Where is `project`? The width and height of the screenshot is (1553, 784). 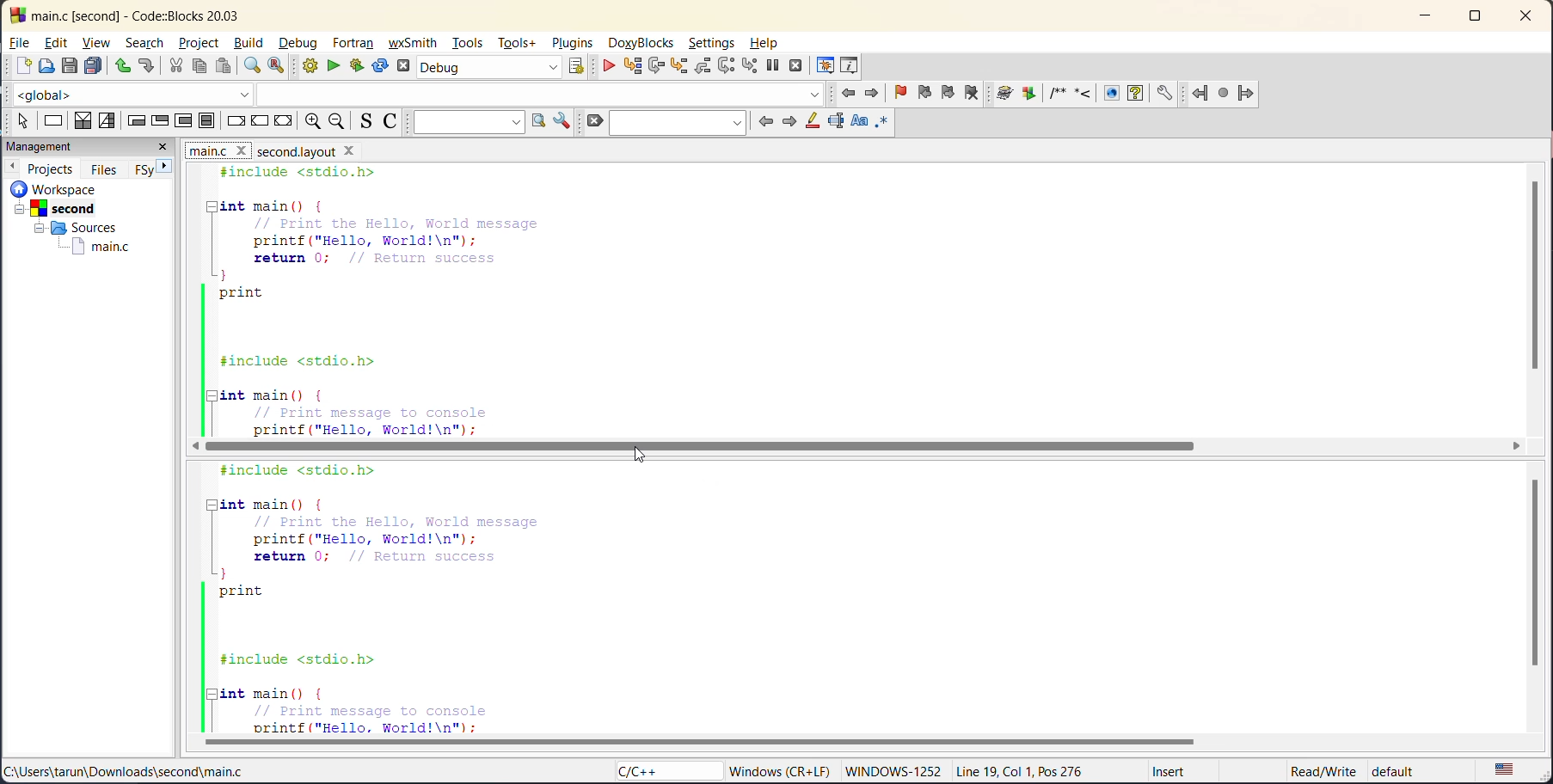 project is located at coordinates (203, 45).